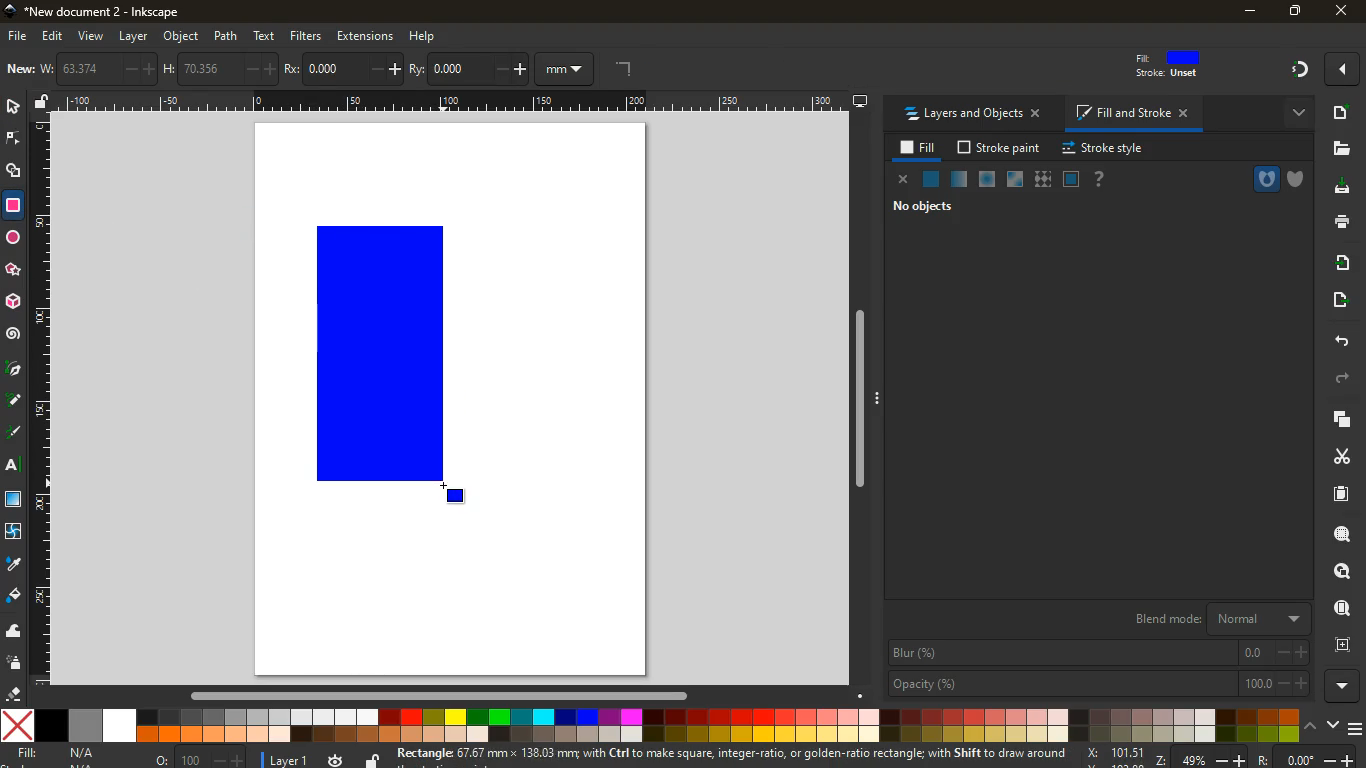 Image resolution: width=1366 pixels, height=768 pixels. I want to click on , so click(451, 104).